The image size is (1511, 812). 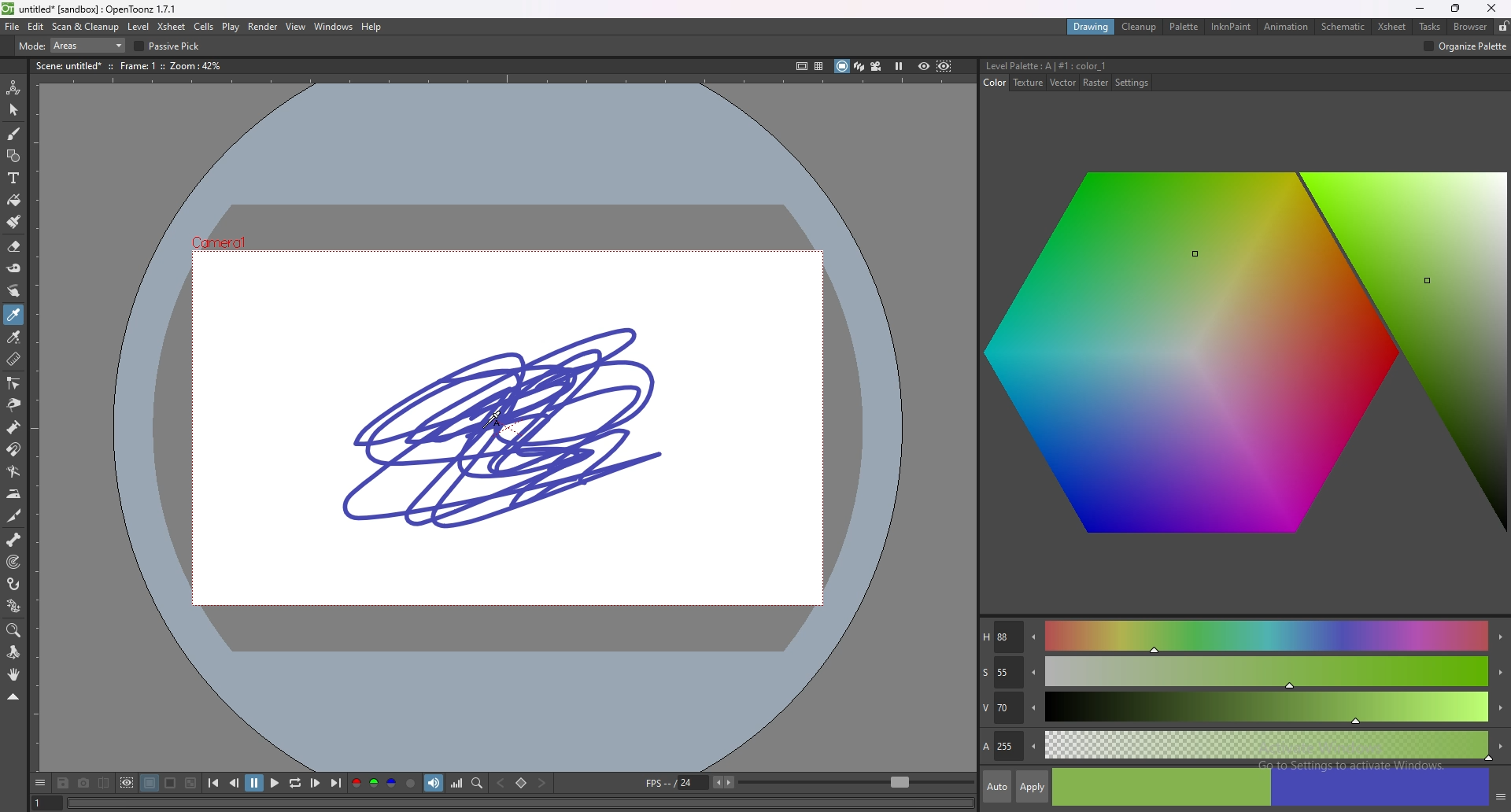 What do you see at coordinates (373, 784) in the screenshot?
I see `green channel` at bounding box center [373, 784].